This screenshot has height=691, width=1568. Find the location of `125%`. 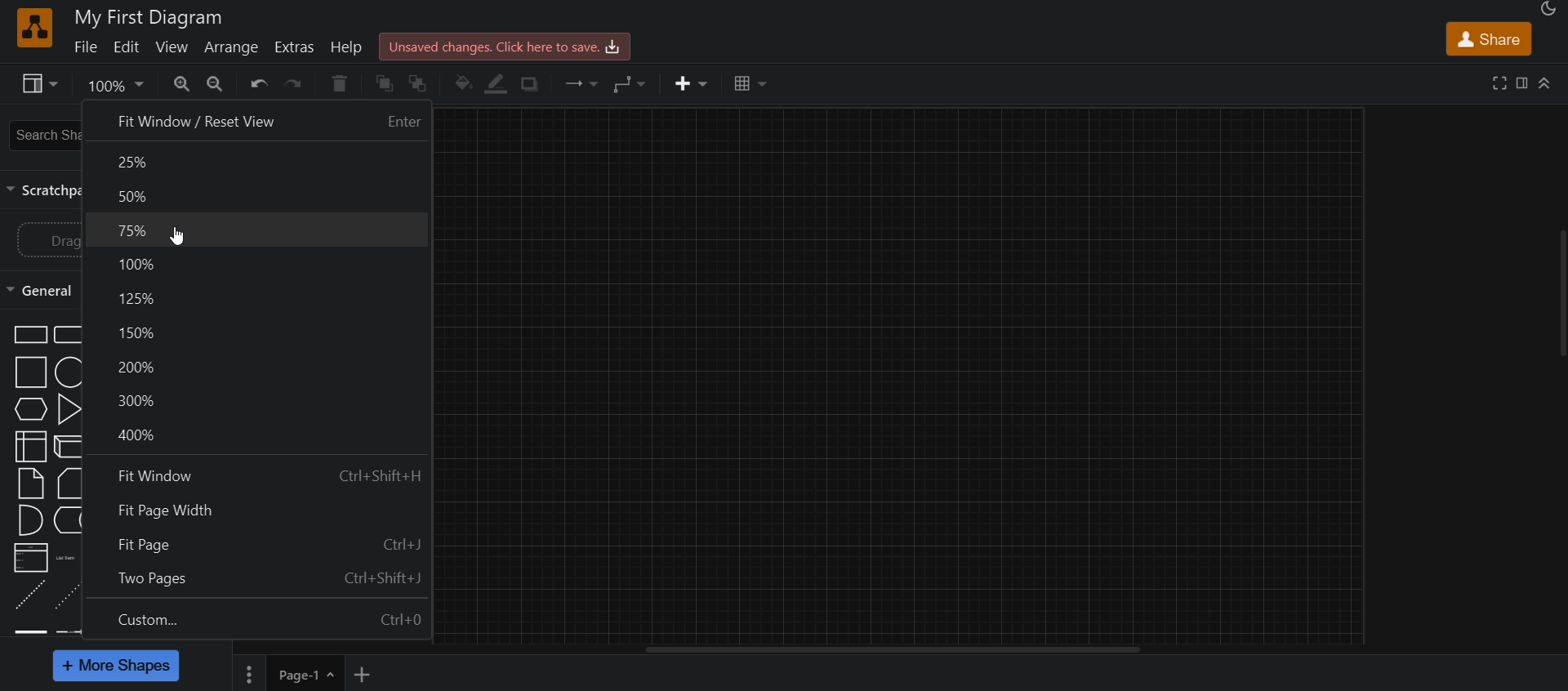

125% is located at coordinates (265, 297).